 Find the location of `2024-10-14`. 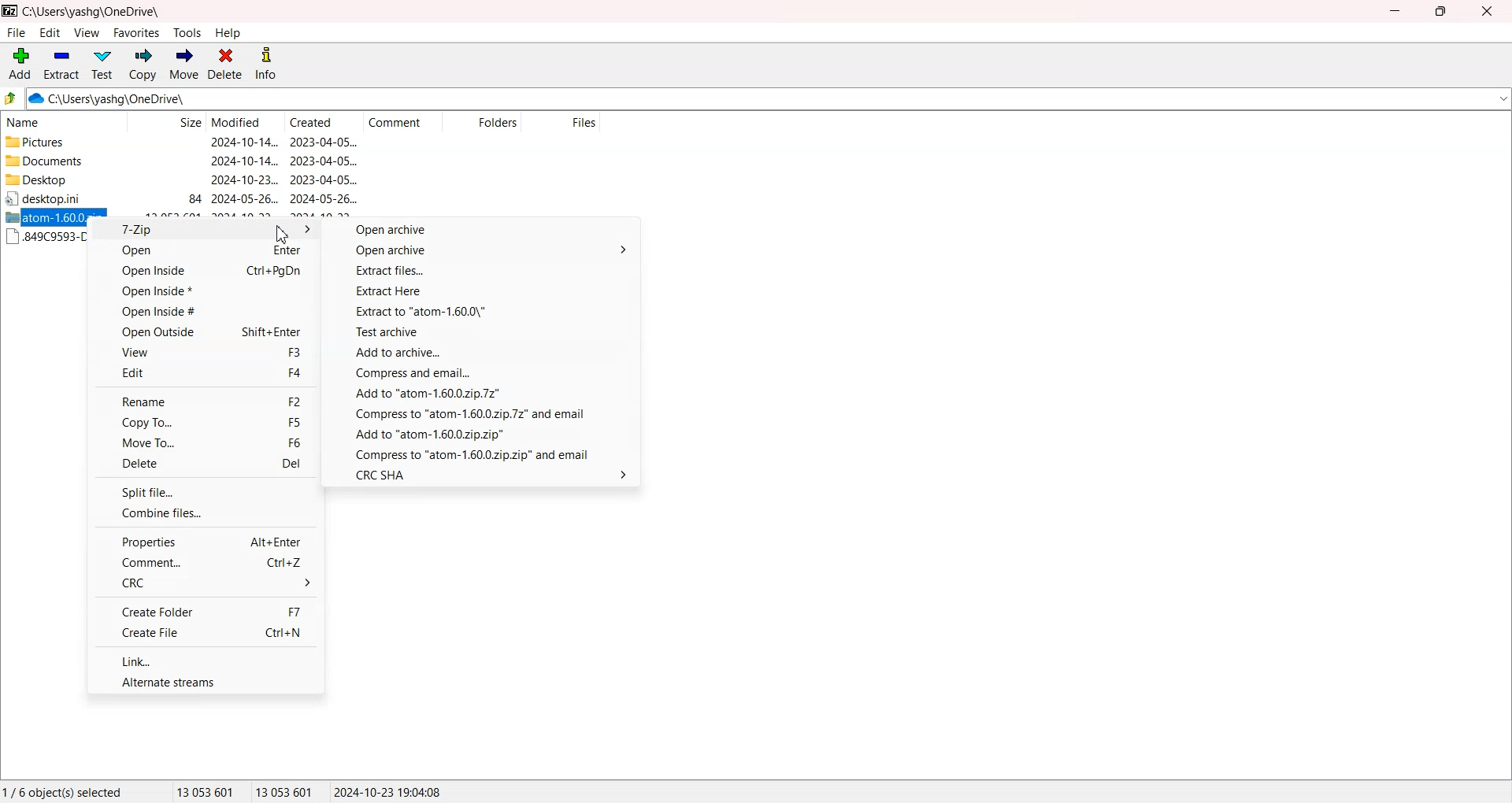

2024-10-14 is located at coordinates (243, 160).